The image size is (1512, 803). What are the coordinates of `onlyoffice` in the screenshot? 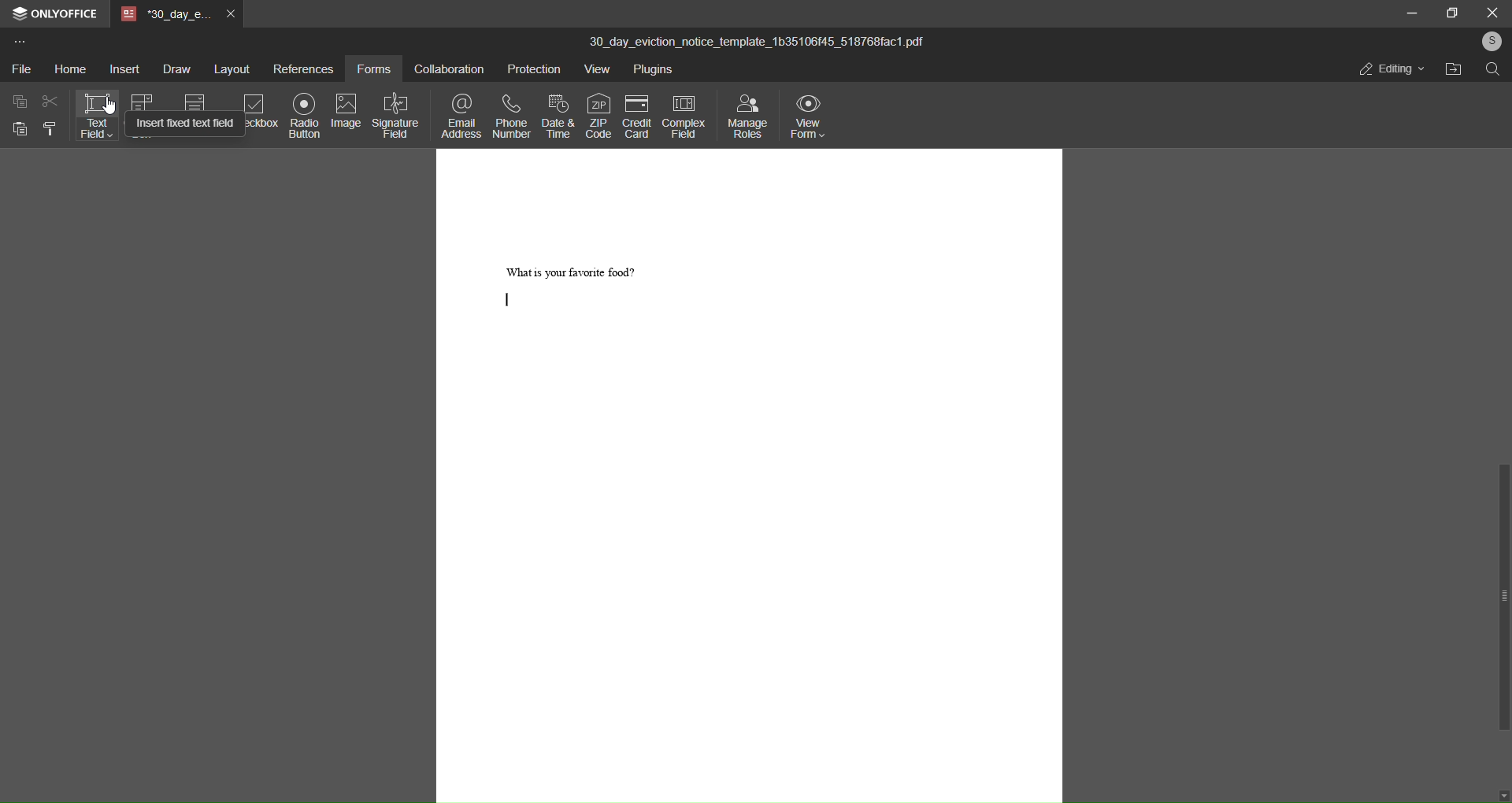 It's located at (66, 14).